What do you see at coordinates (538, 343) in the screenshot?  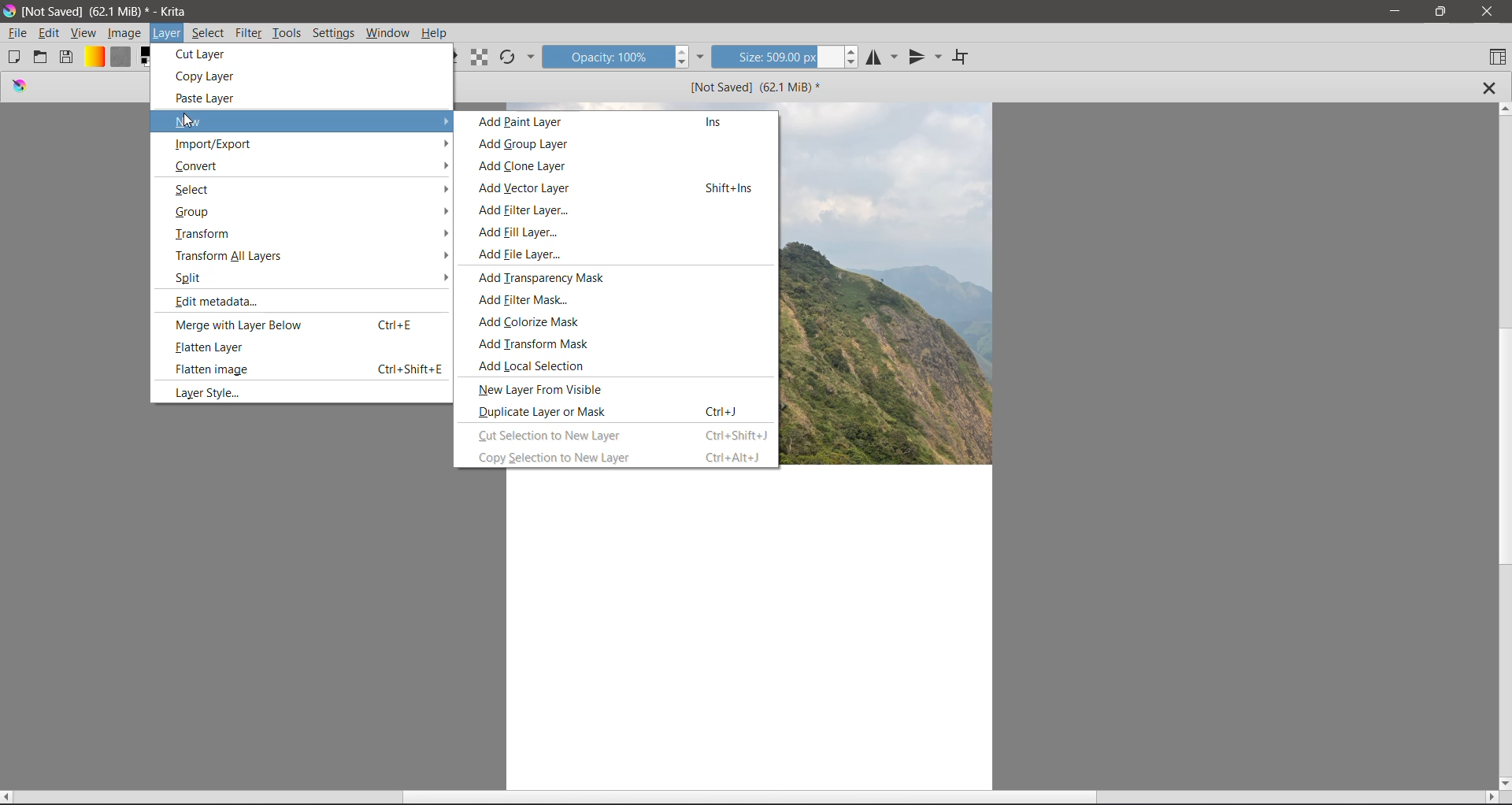 I see `Add Transform Mask` at bounding box center [538, 343].